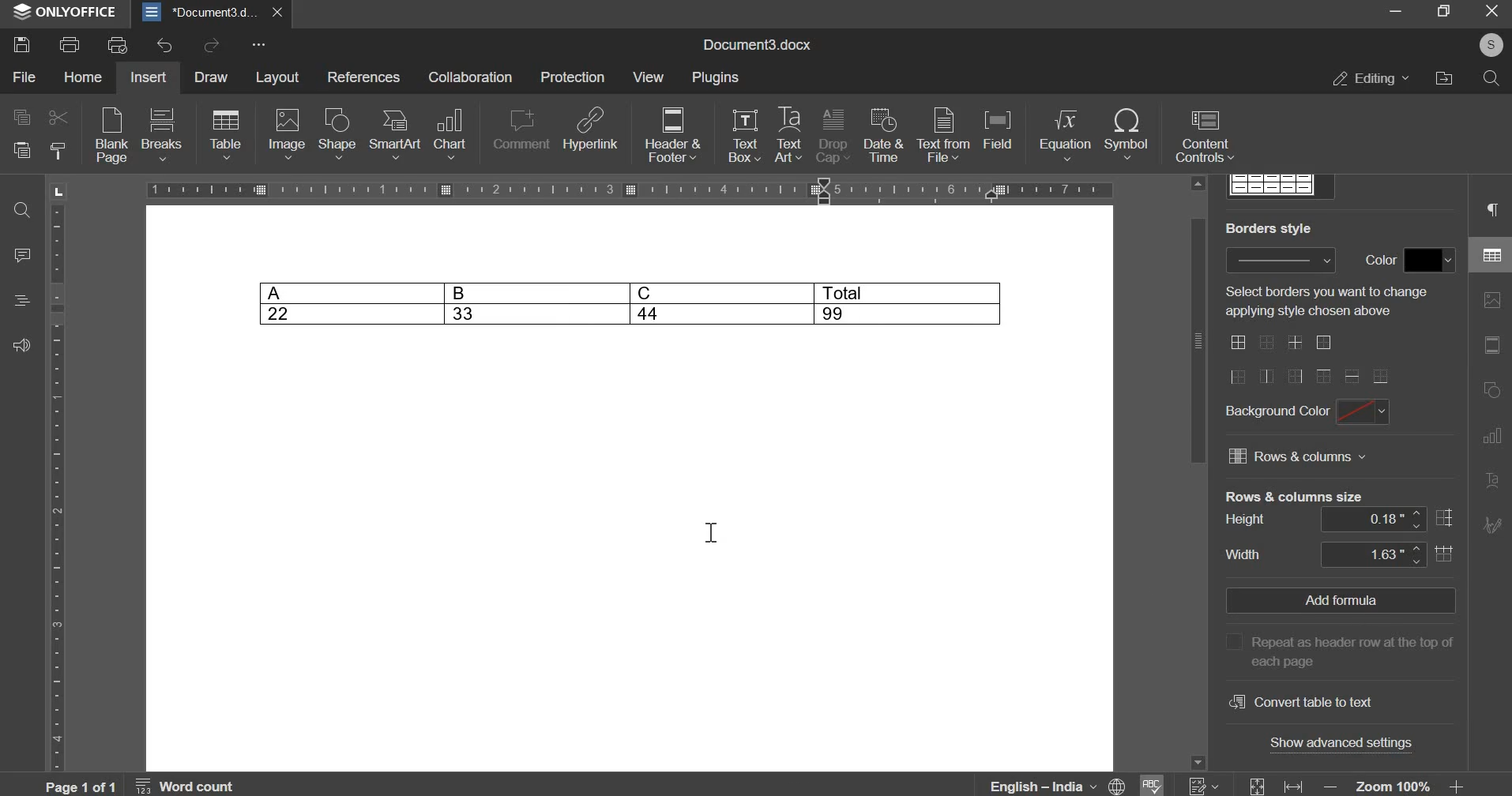 This screenshot has height=796, width=1512. What do you see at coordinates (23, 77) in the screenshot?
I see `file` at bounding box center [23, 77].